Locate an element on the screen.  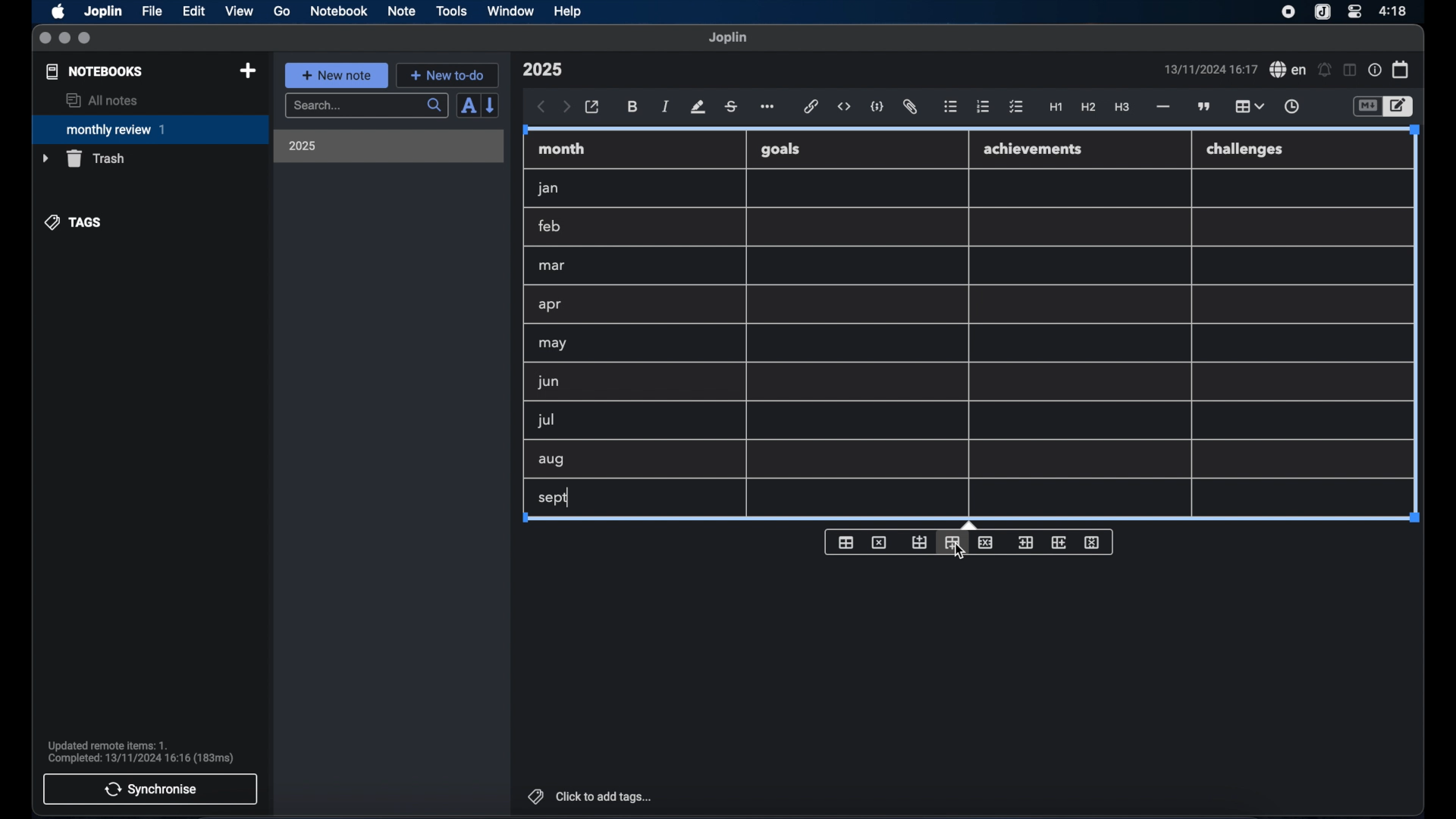
note is located at coordinates (402, 11).